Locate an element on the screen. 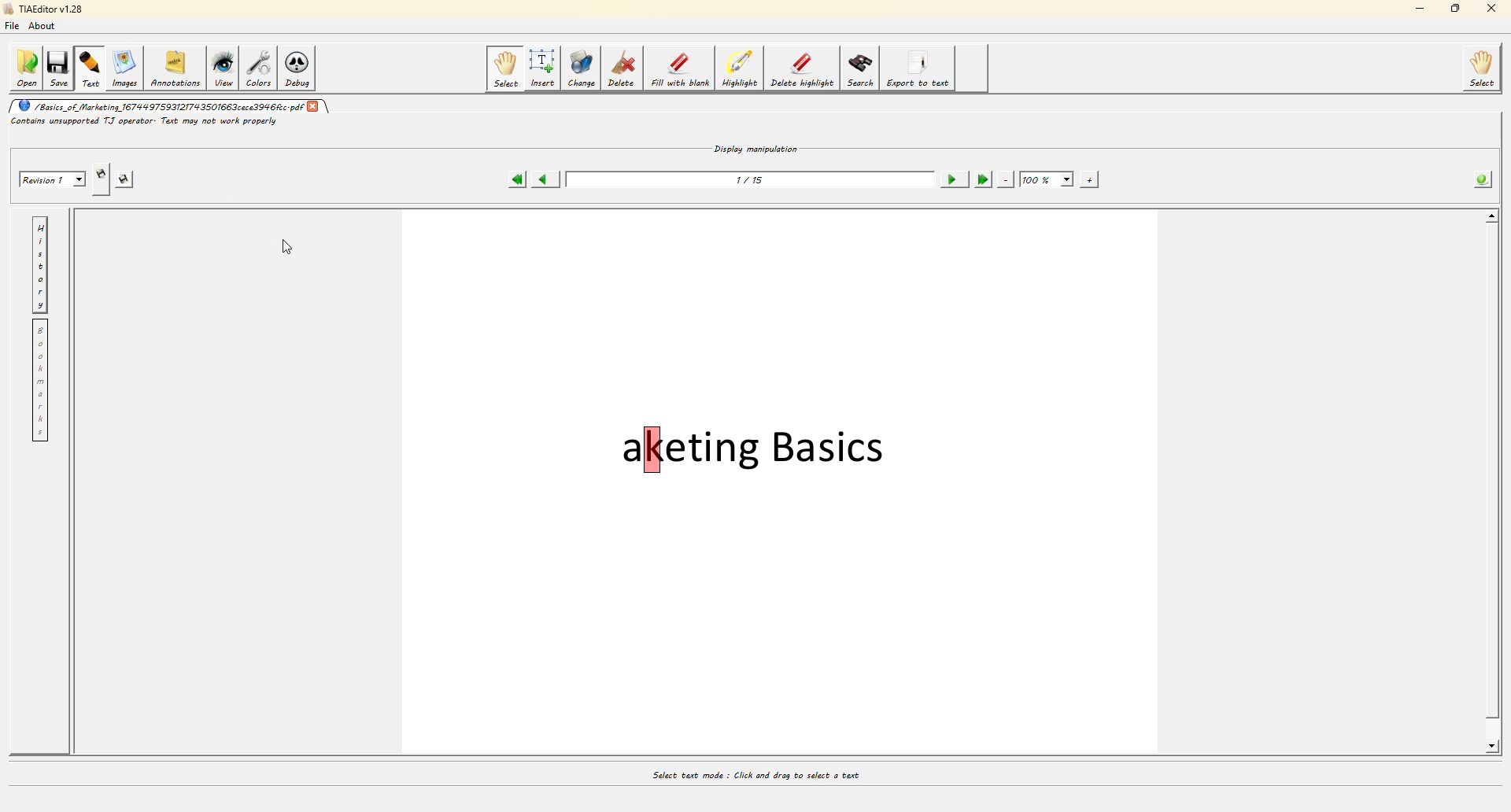 This screenshot has height=812, width=1511. history is located at coordinates (39, 264).